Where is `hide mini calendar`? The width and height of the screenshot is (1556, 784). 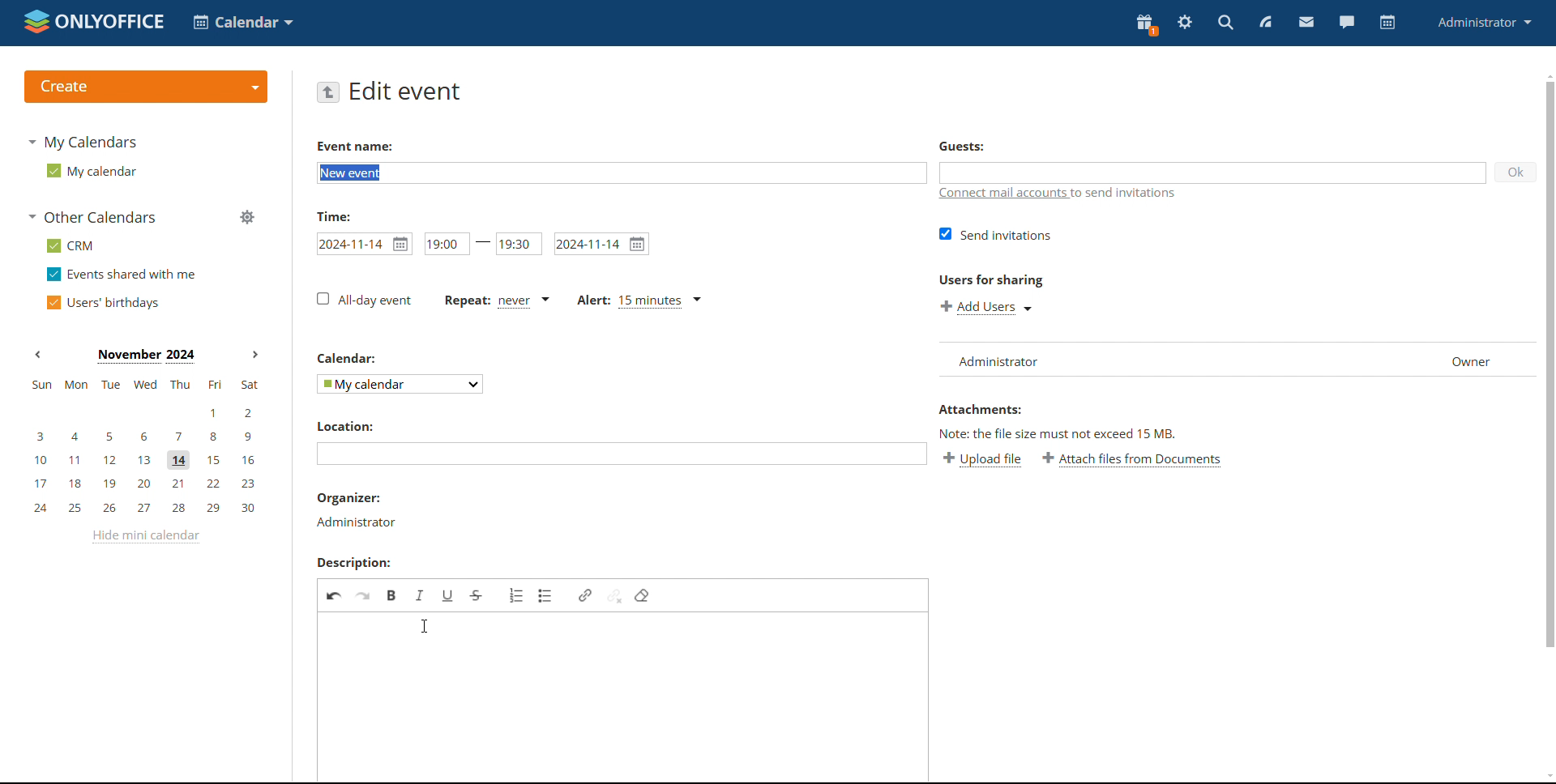
hide mini calendar is located at coordinates (146, 538).